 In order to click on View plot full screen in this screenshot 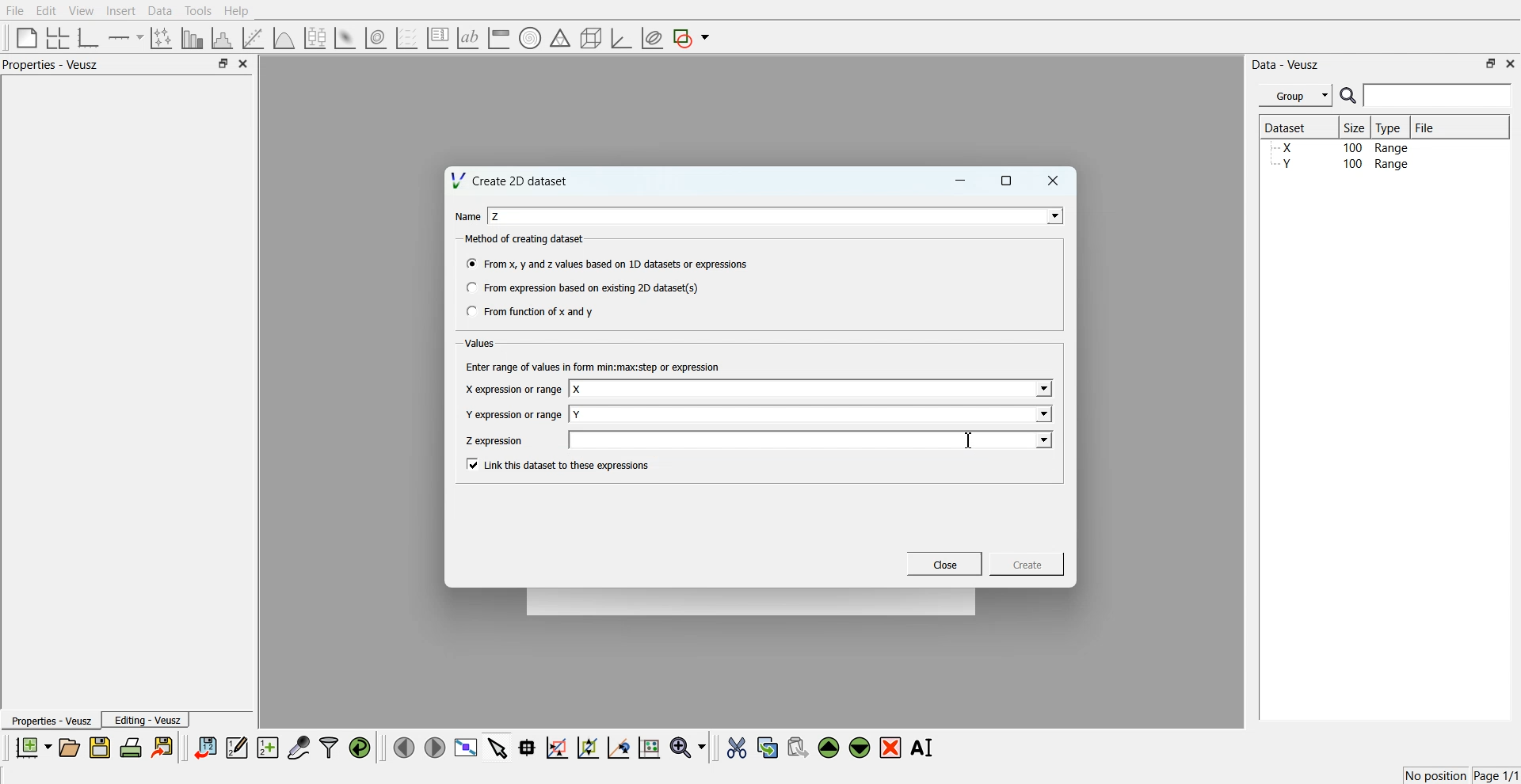, I will do `click(467, 747)`.